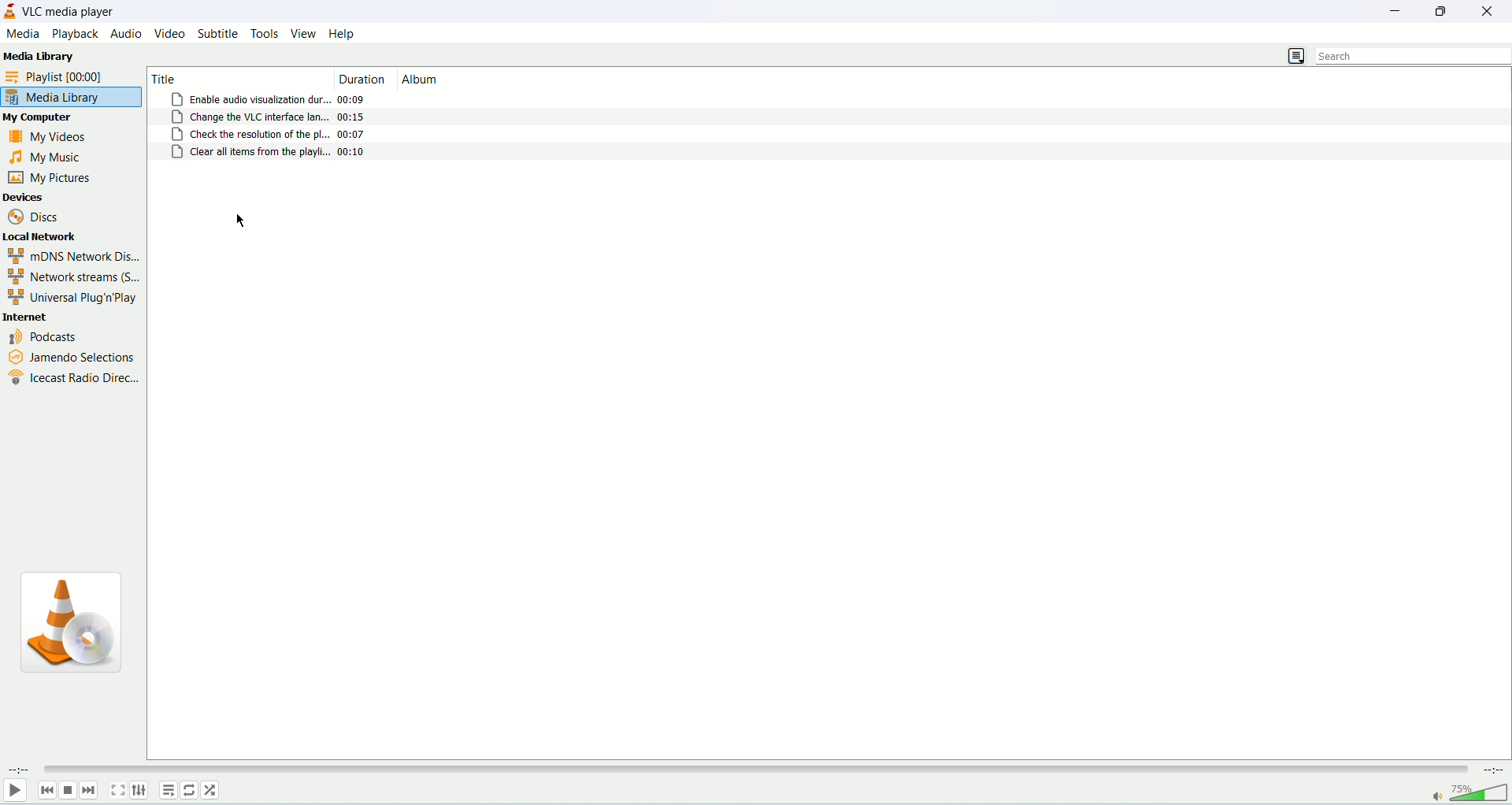 This screenshot has width=1512, height=805. Describe the element at coordinates (233, 76) in the screenshot. I see `file title` at that location.